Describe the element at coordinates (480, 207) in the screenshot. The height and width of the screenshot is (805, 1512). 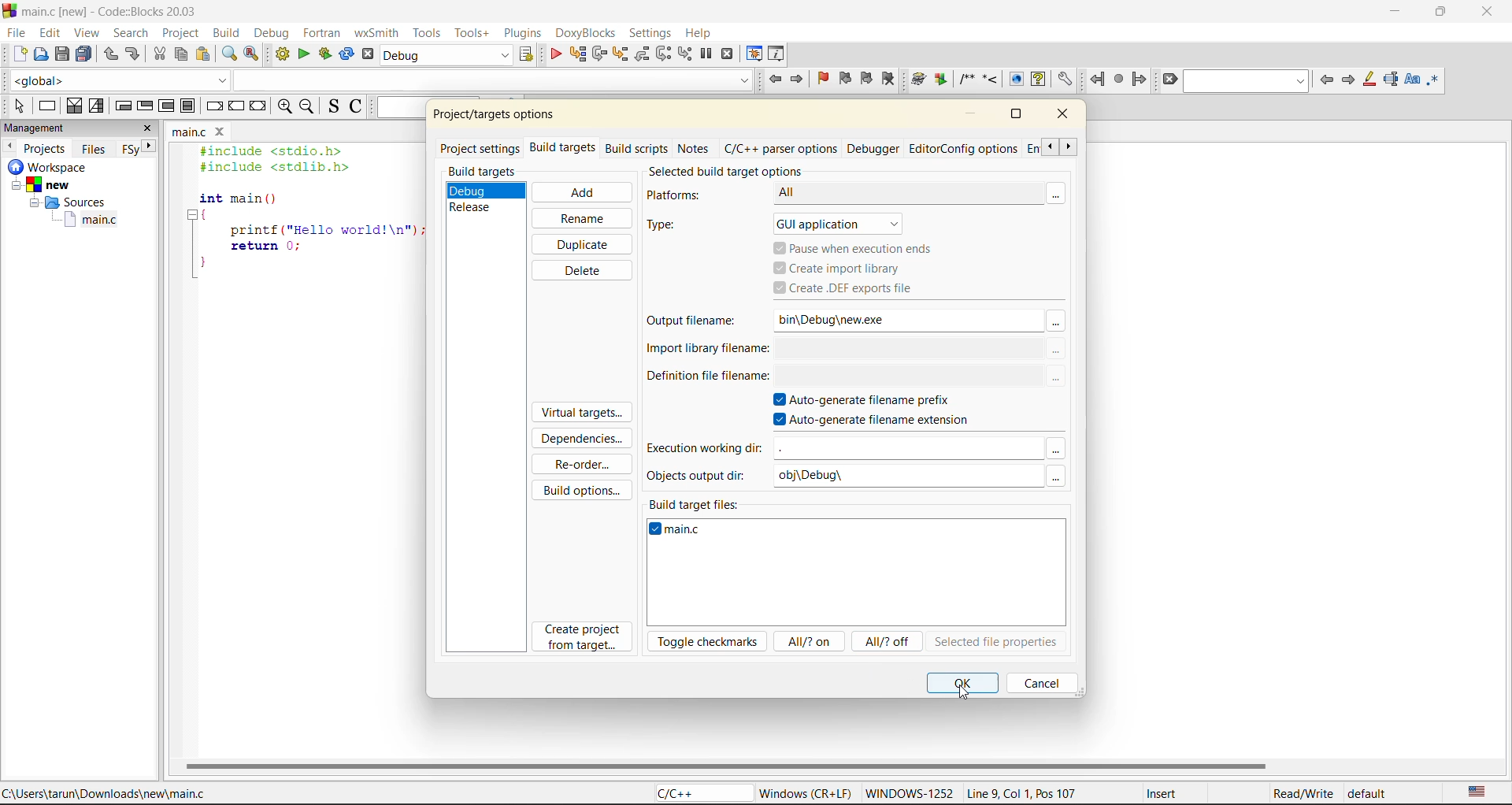
I see `release` at that location.